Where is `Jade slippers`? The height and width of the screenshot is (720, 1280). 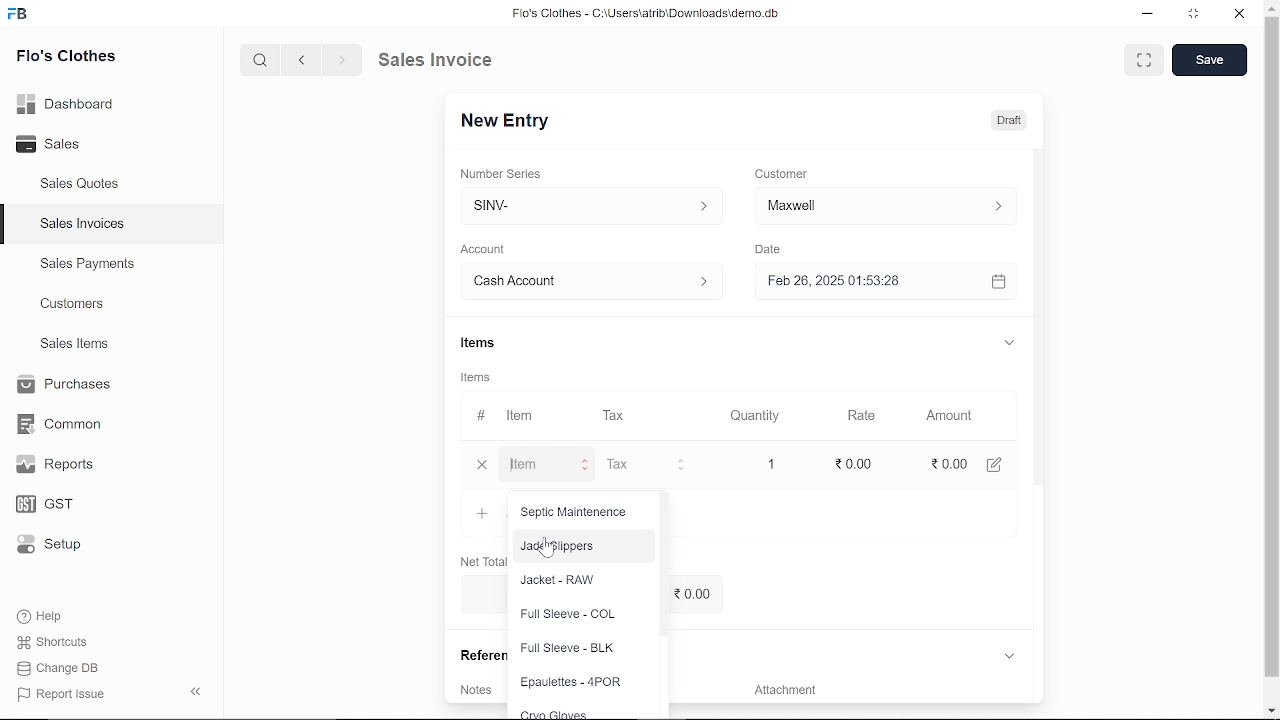
Jade slippers is located at coordinates (582, 546).